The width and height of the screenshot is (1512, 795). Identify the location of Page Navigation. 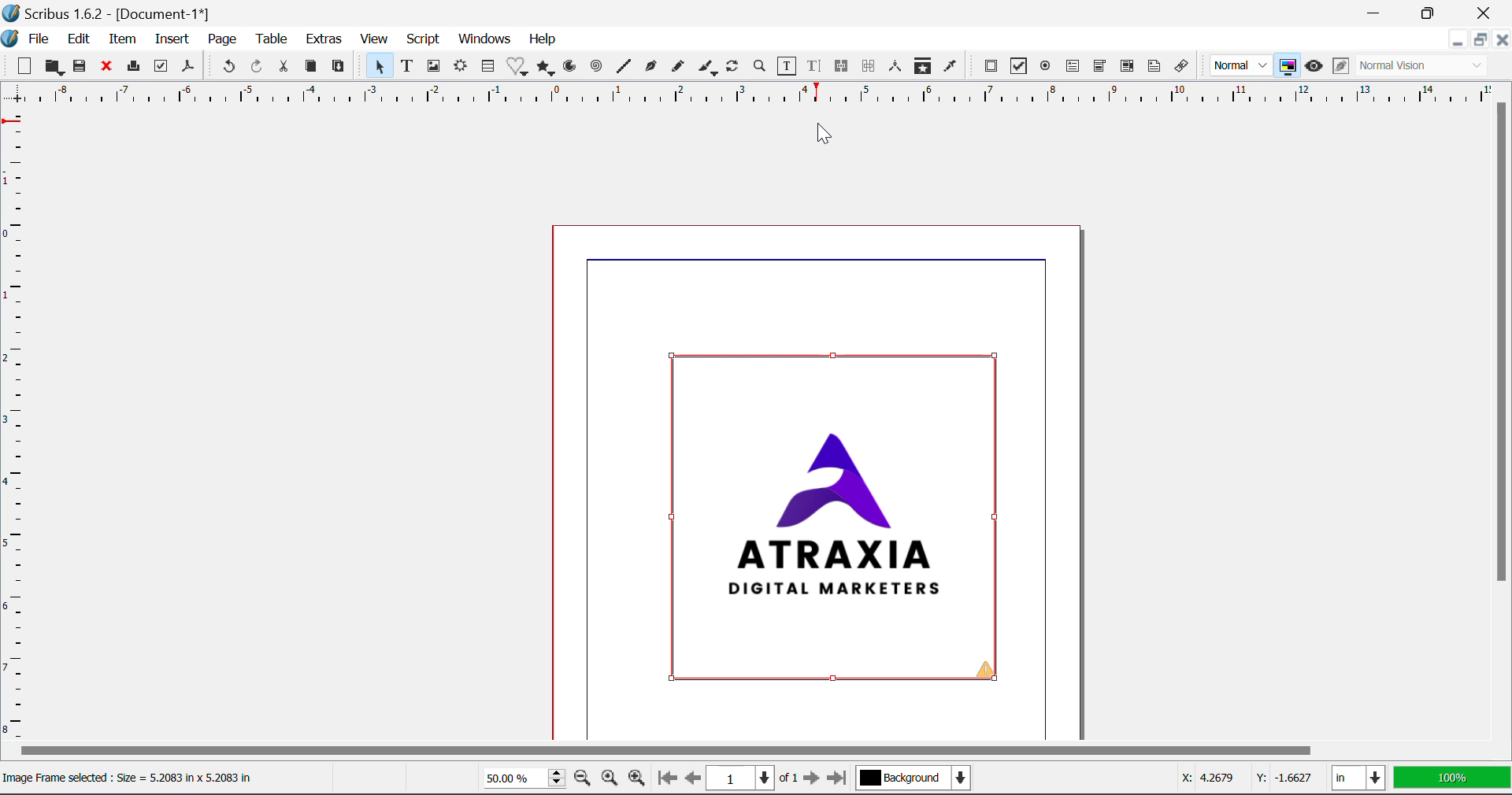
(747, 778).